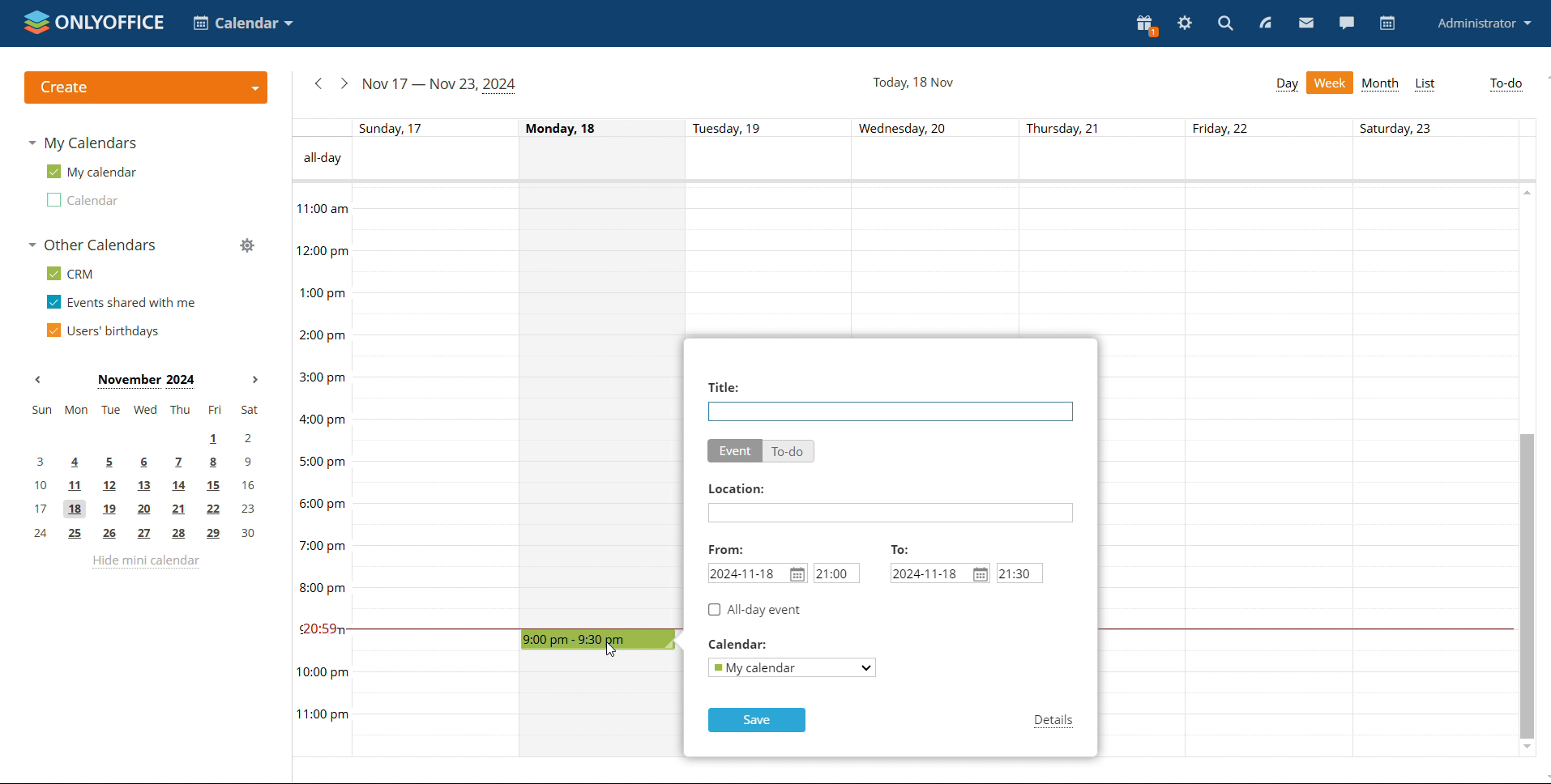 The width and height of the screenshot is (1551, 784). I want to click on second calendar, so click(81, 198).